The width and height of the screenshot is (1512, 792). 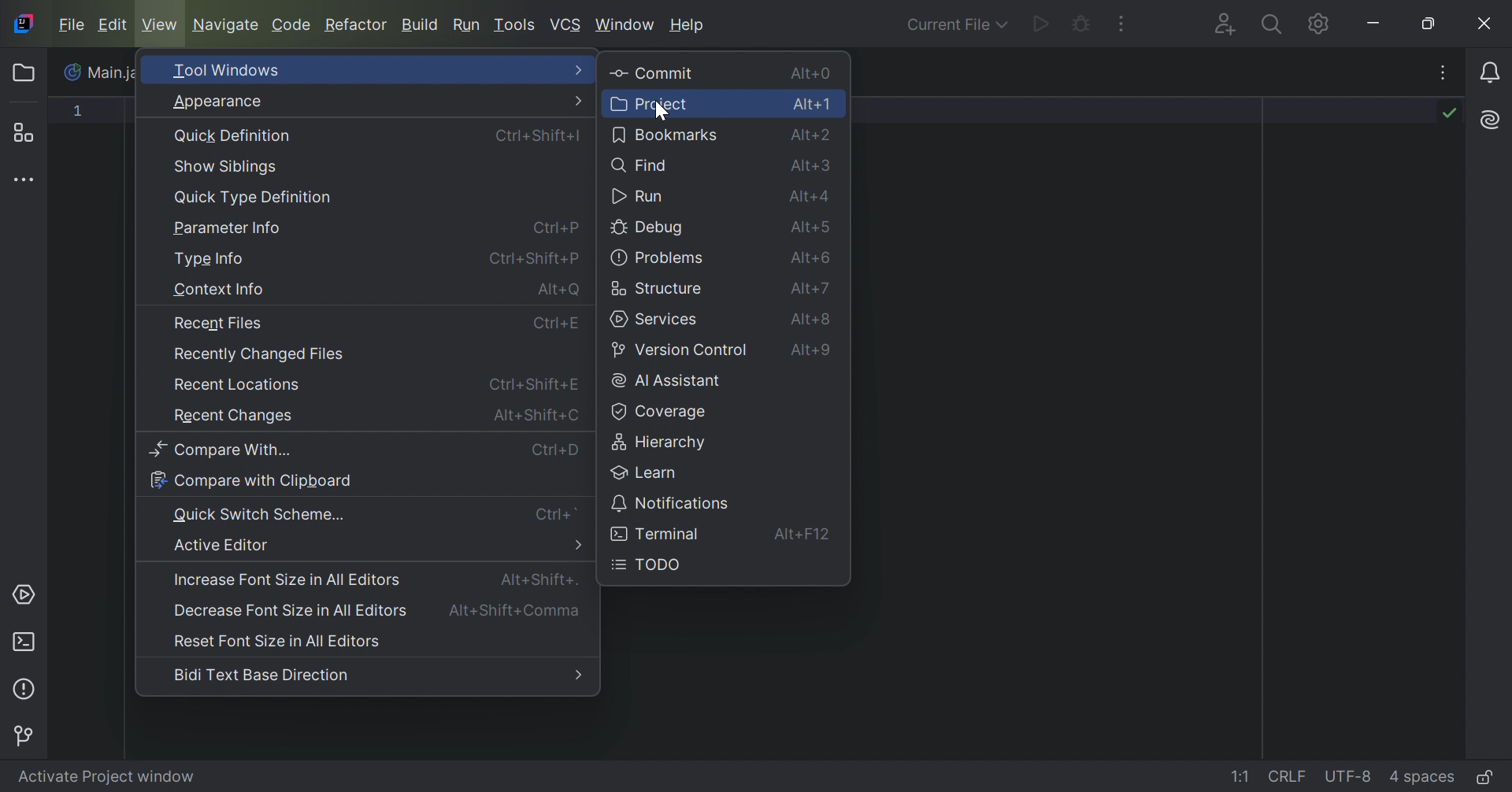 What do you see at coordinates (537, 414) in the screenshot?
I see `Alt+Shift+C` at bounding box center [537, 414].